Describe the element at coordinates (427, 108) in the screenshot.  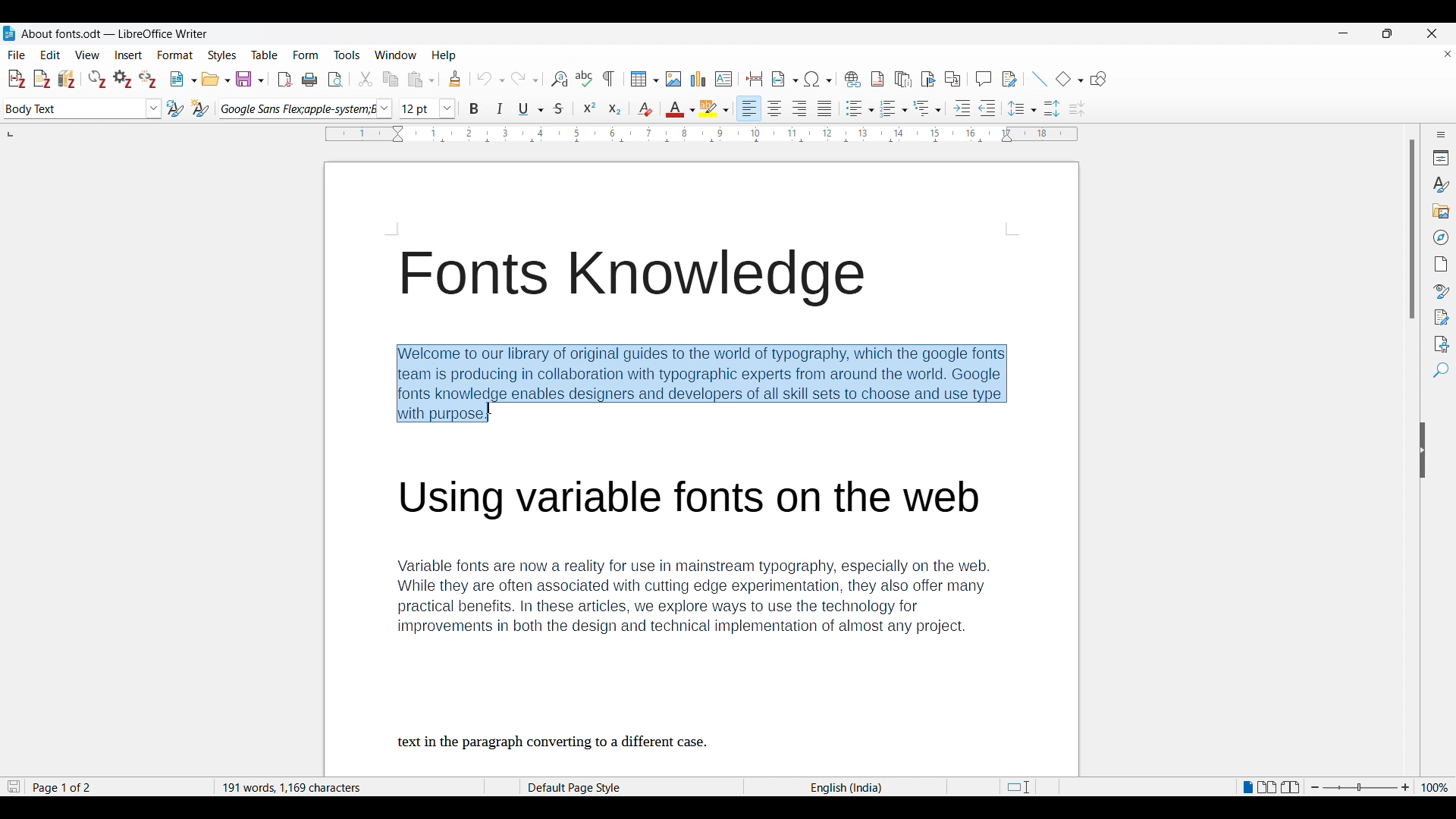
I see `Text size options` at that location.